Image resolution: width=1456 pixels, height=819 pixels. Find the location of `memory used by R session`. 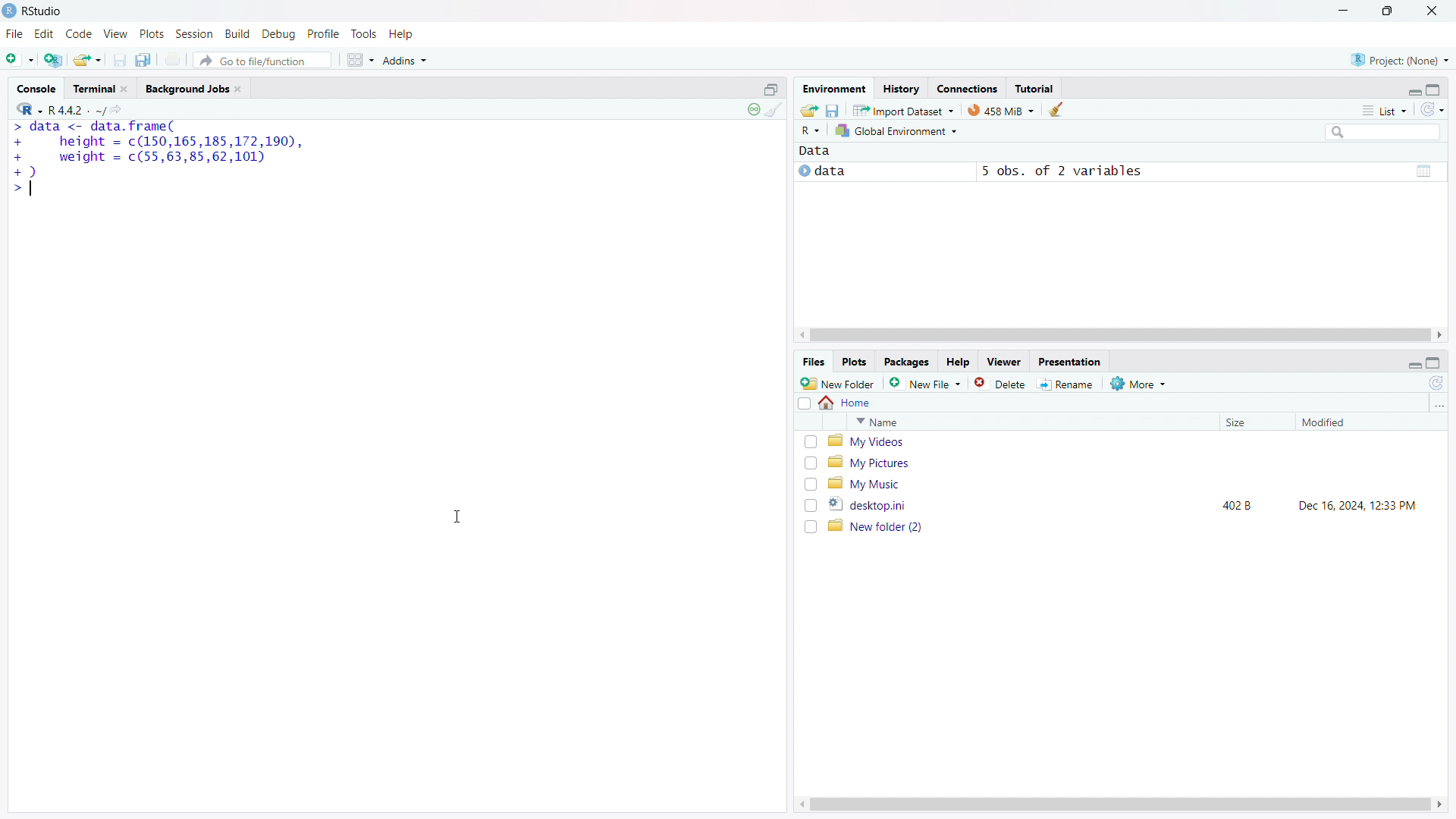

memory used by R session is located at coordinates (1001, 109).